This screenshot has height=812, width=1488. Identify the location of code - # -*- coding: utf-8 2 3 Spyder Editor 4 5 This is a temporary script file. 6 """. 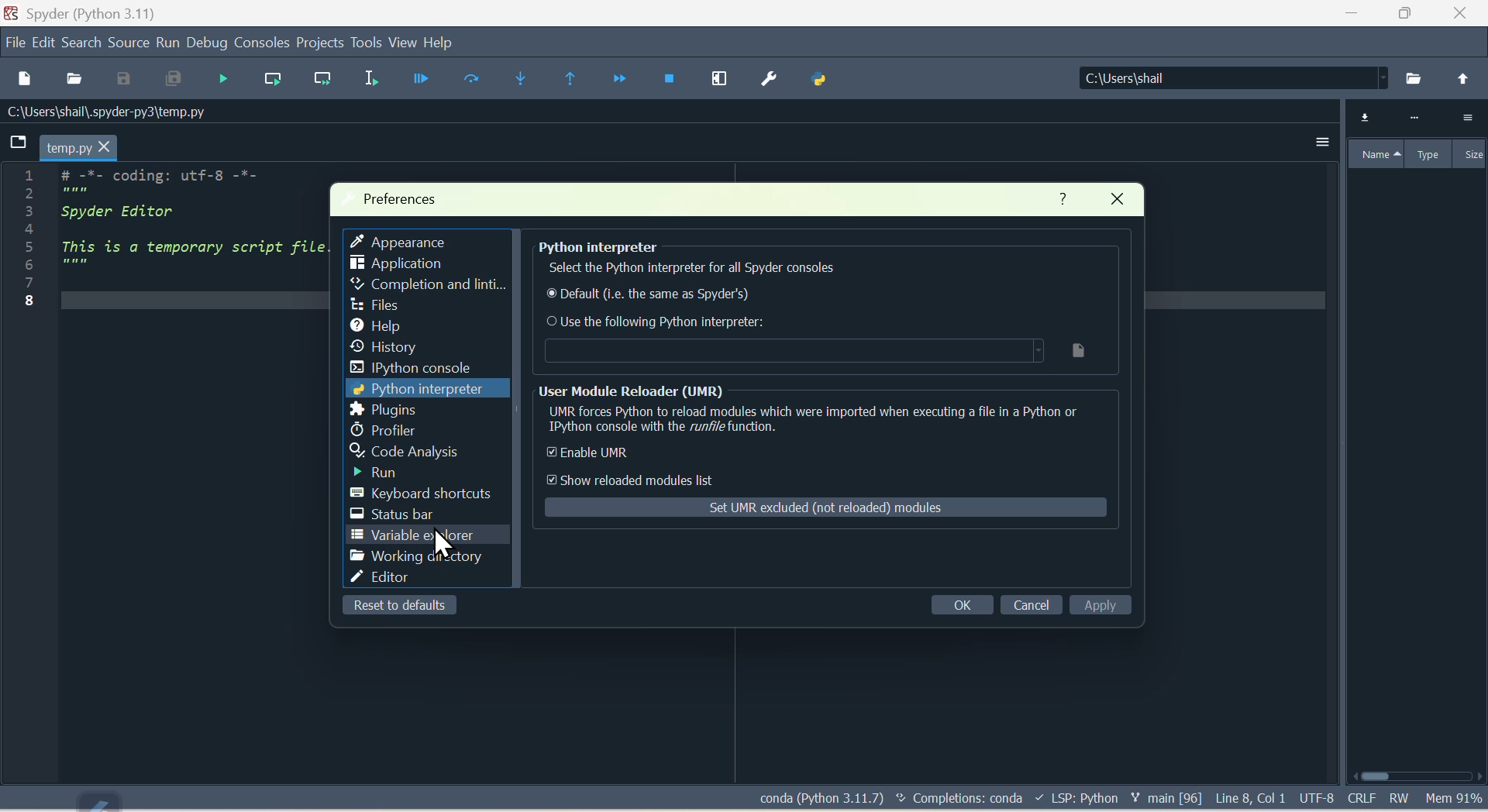
(162, 234).